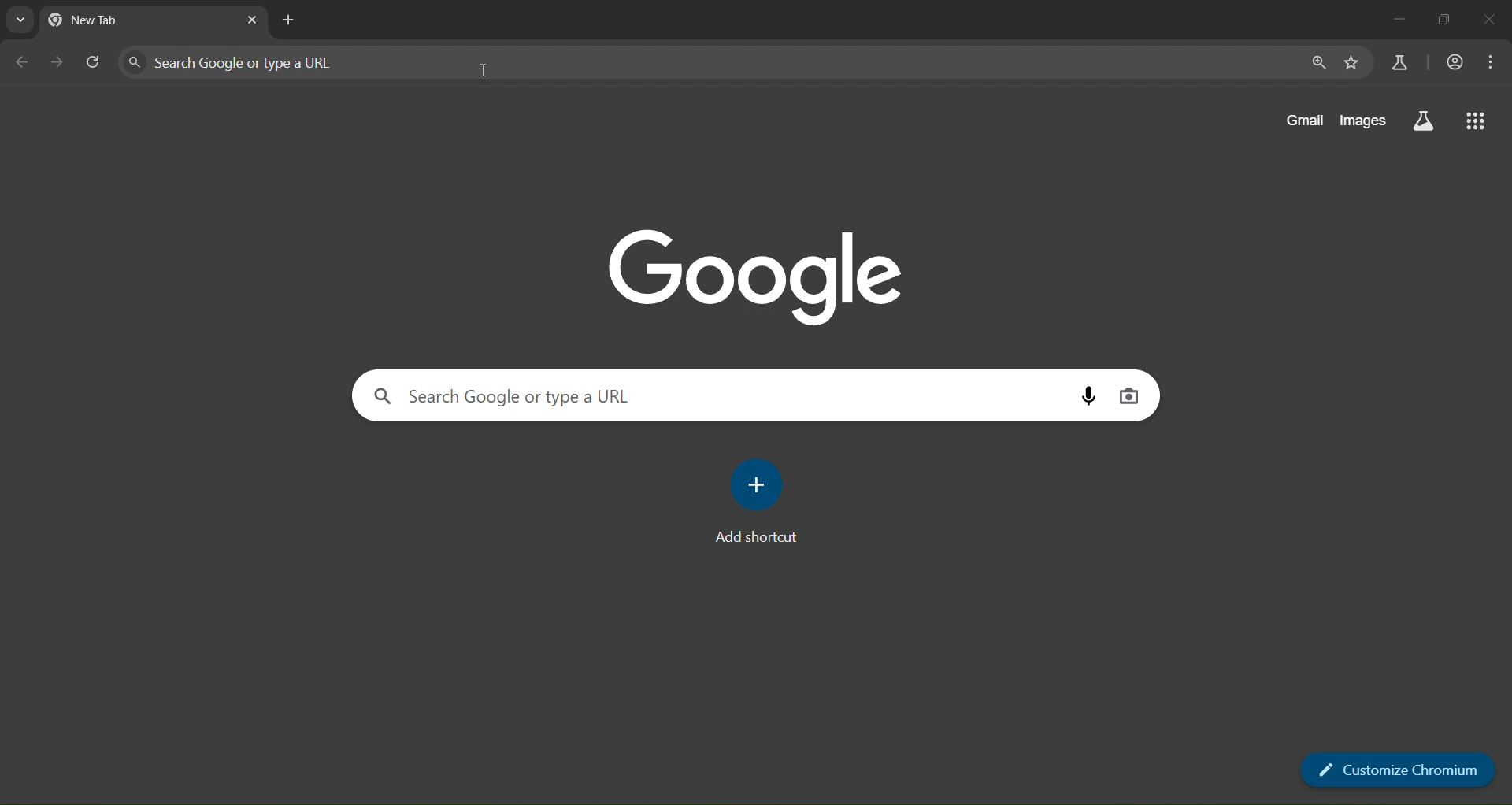 This screenshot has width=1512, height=805. I want to click on search panel, so click(496, 397).